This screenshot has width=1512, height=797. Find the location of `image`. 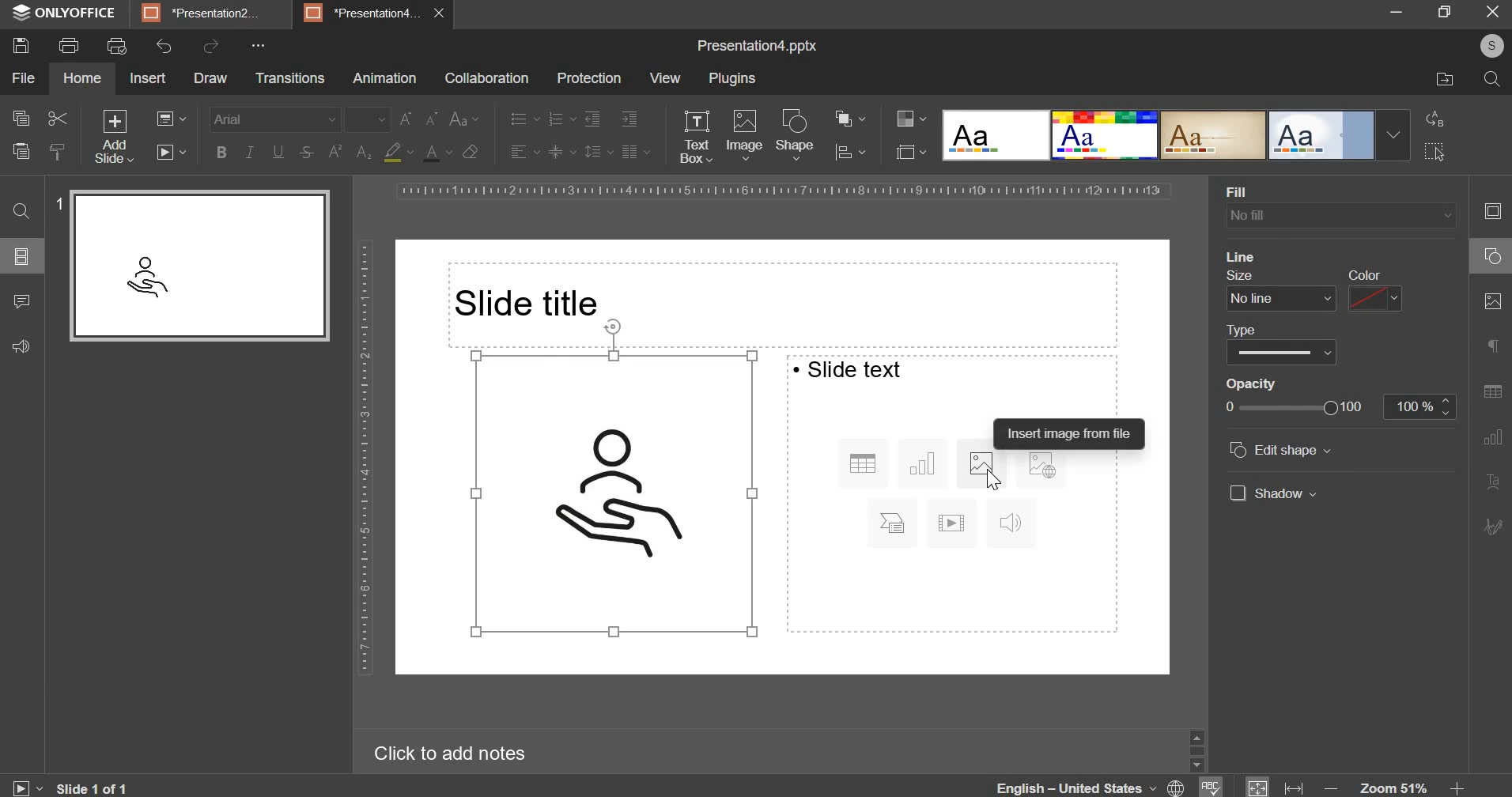

image is located at coordinates (614, 493).